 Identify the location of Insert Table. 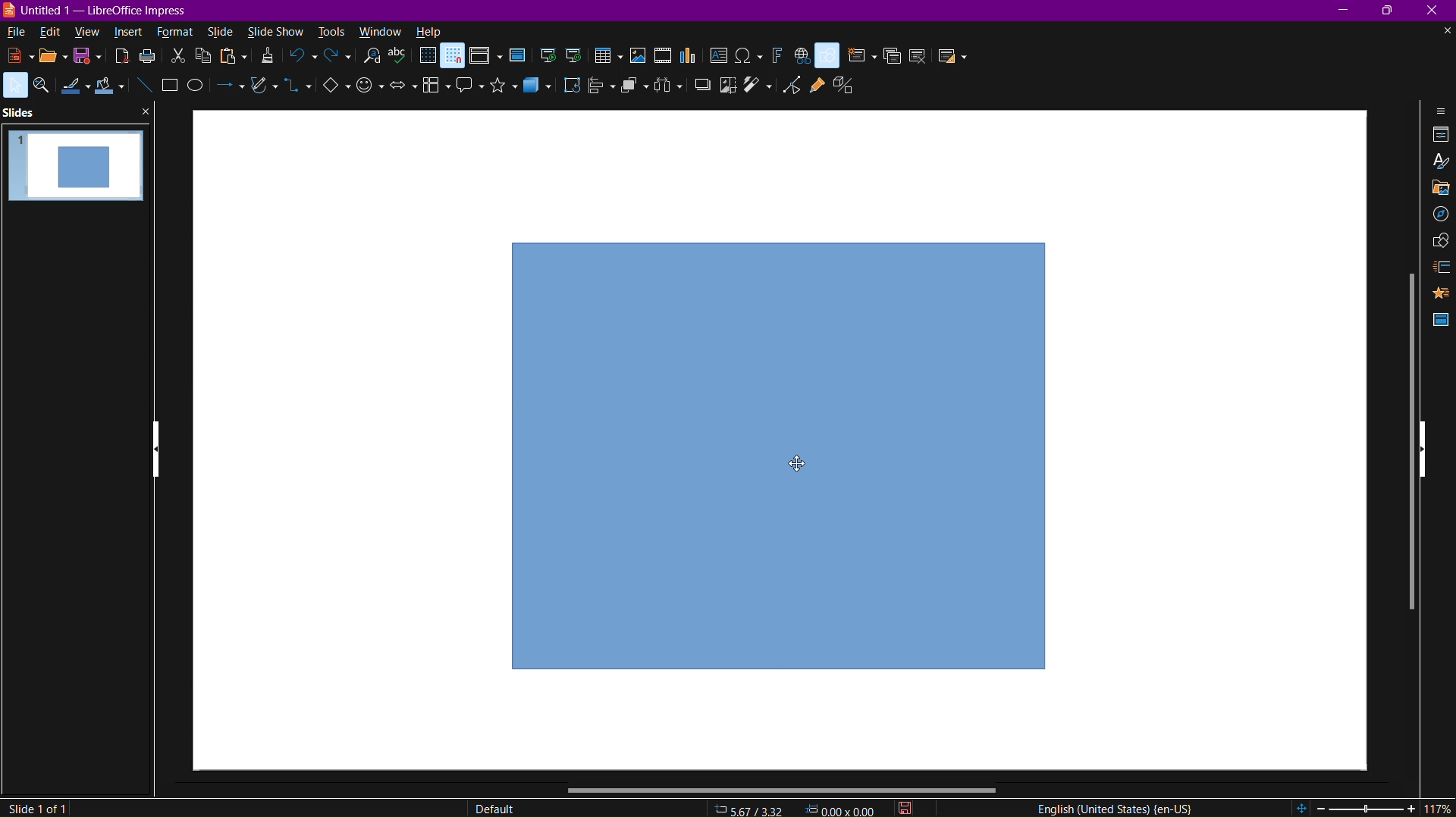
(608, 57).